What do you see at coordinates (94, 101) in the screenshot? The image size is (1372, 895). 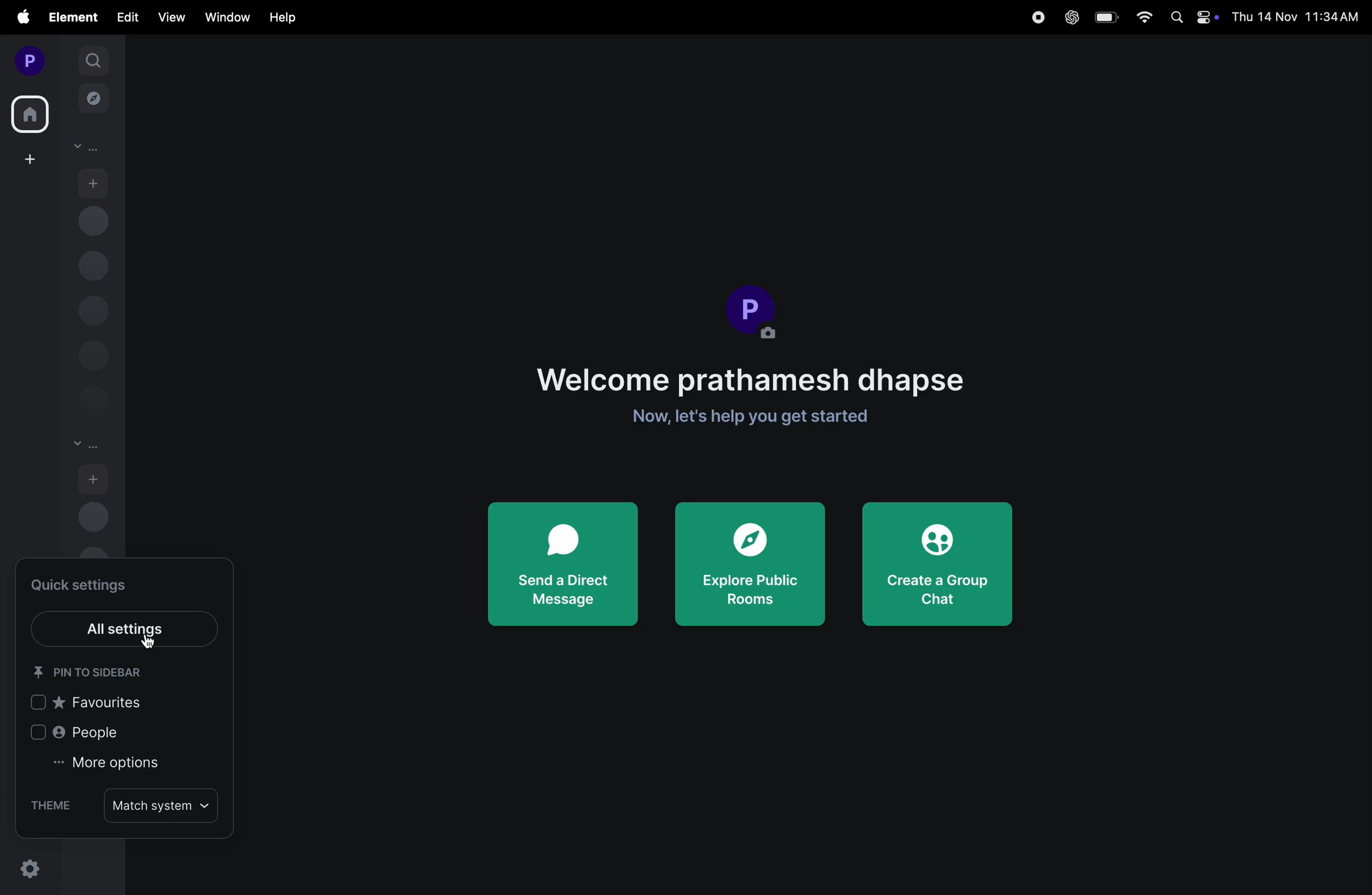 I see `explore rooms` at bounding box center [94, 101].